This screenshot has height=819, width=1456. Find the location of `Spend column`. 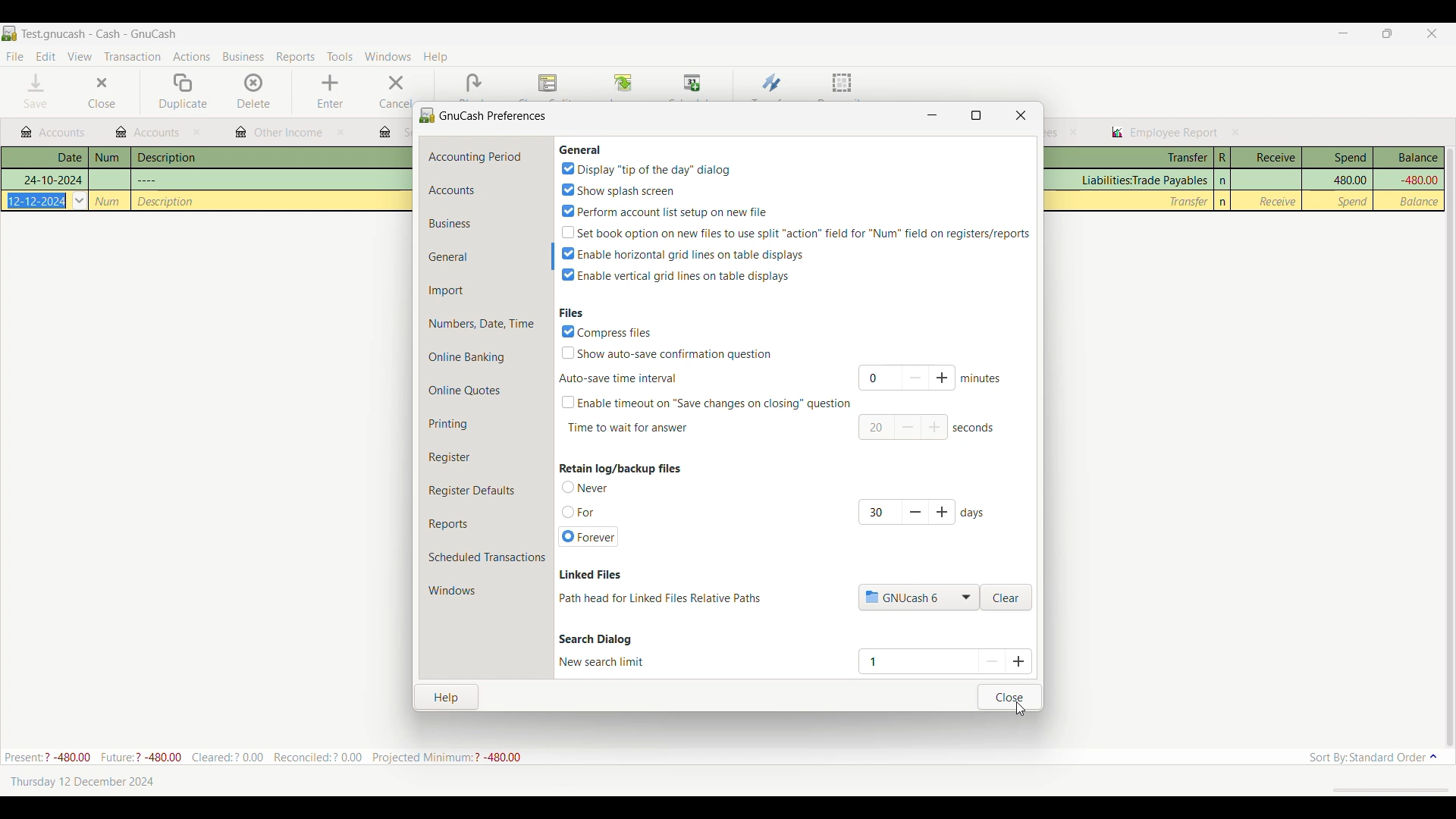

Spend column is located at coordinates (1349, 179).